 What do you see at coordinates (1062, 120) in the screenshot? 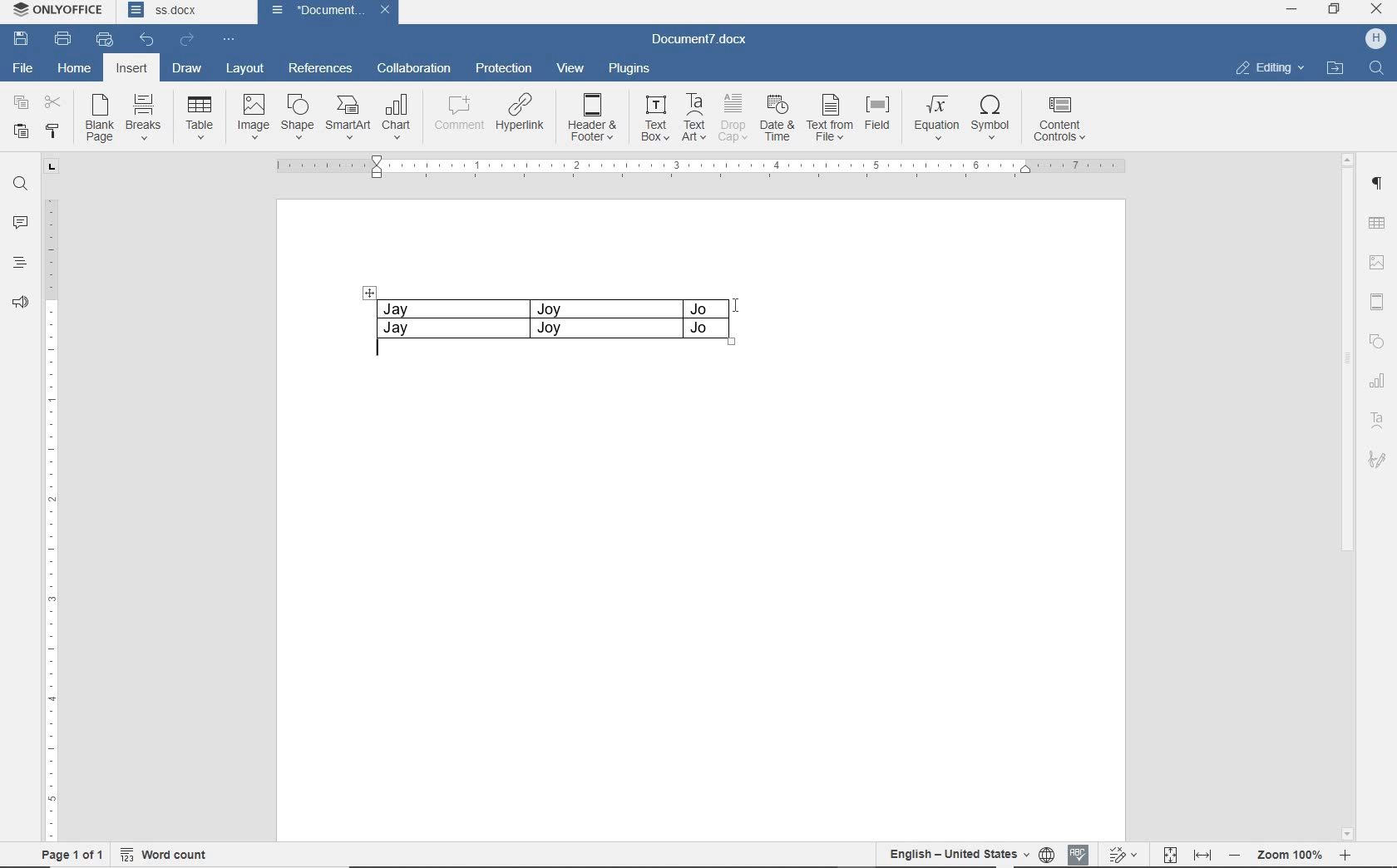
I see `CONTENT CONTROLS` at bounding box center [1062, 120].